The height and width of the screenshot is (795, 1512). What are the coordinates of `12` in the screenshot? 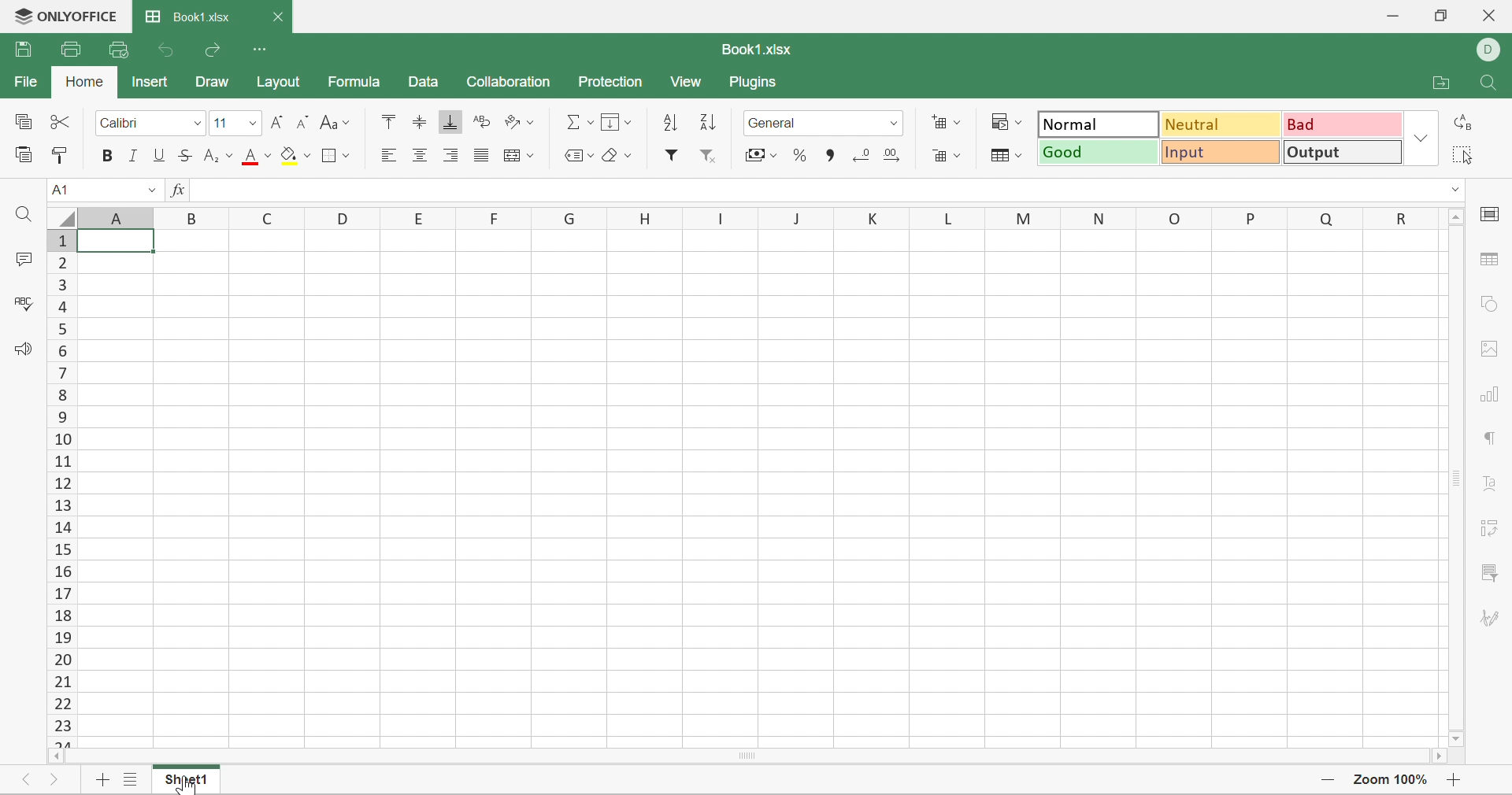 It's located at (60, 483).